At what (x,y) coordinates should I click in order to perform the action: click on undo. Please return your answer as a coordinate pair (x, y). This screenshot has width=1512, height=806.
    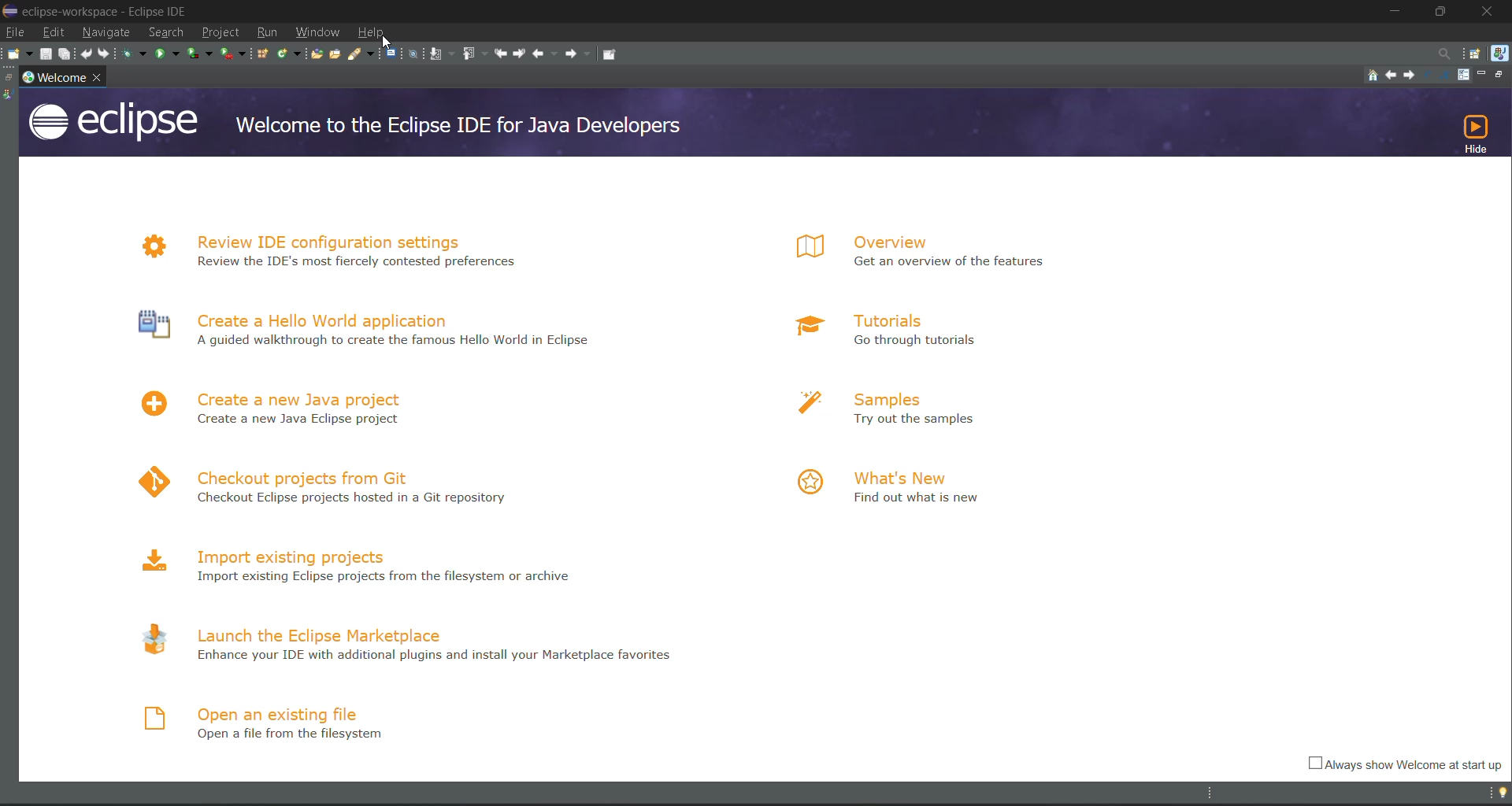
    Looking at the image, I should click on (84, 53).